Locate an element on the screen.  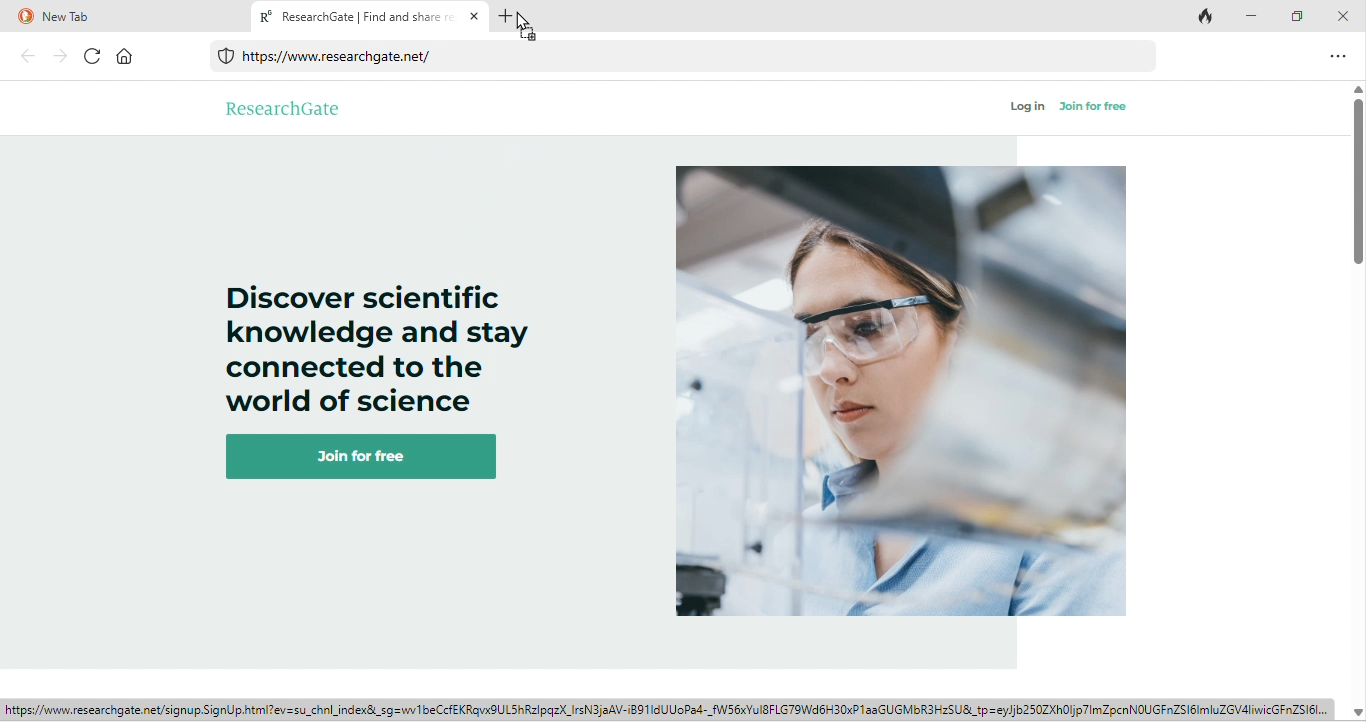
Scroll up is located at coordinates (1357, 90).